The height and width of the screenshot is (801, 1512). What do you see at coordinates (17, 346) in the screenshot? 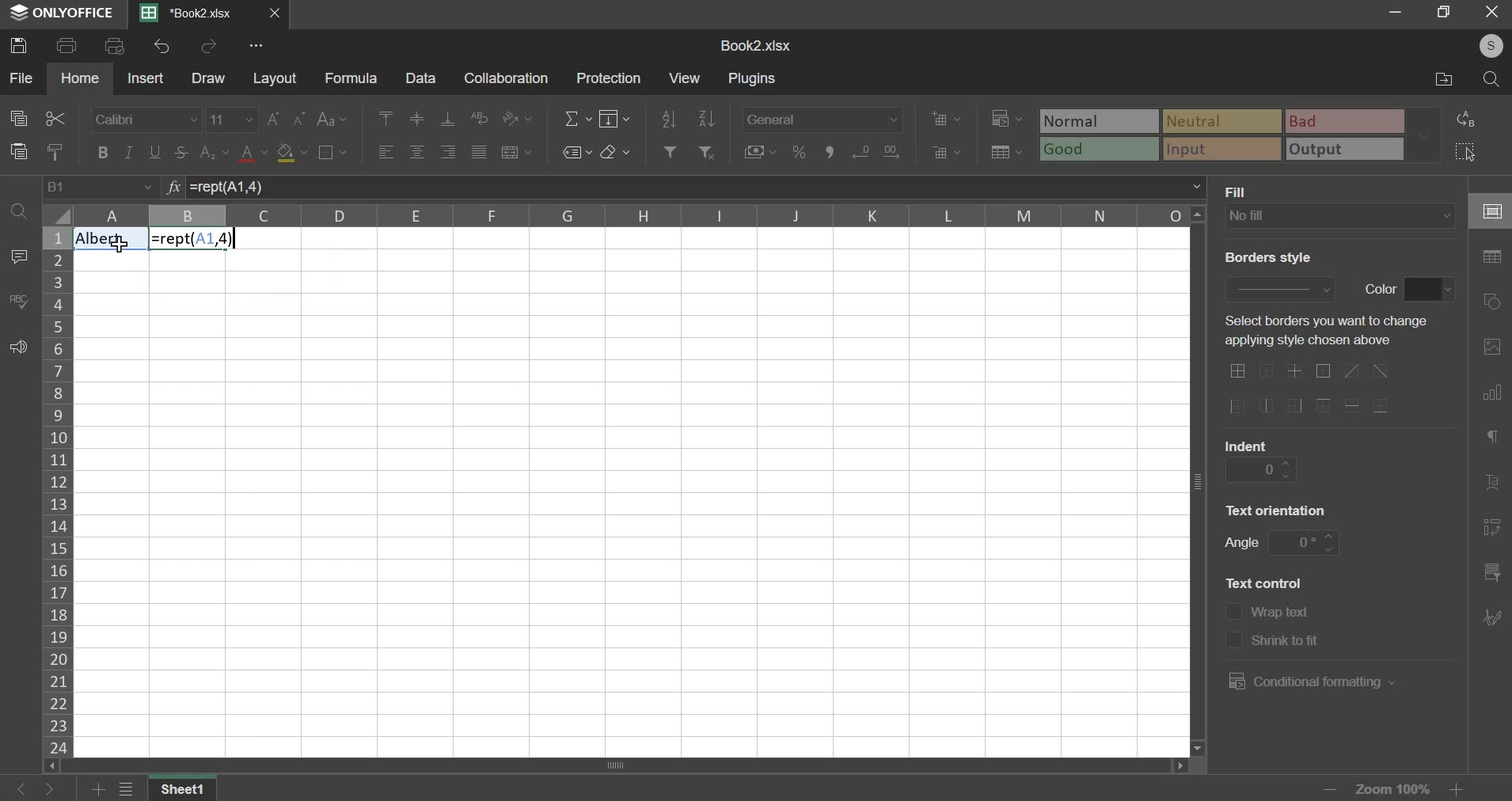
I see `feedback` at bounding box center [17, 346].